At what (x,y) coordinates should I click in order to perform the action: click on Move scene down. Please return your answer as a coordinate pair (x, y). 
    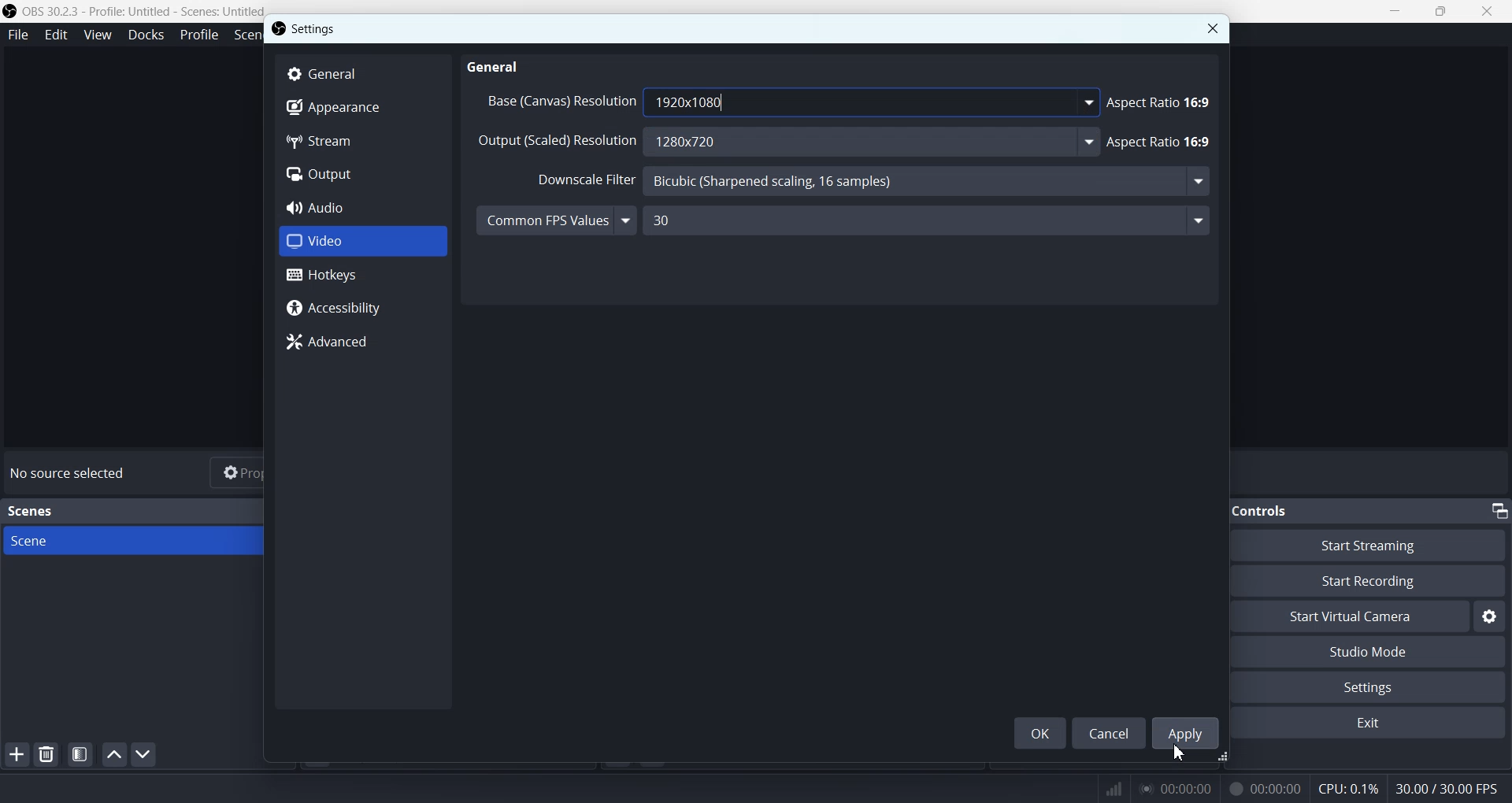
    Looking at the image, I should click on (143, 754).